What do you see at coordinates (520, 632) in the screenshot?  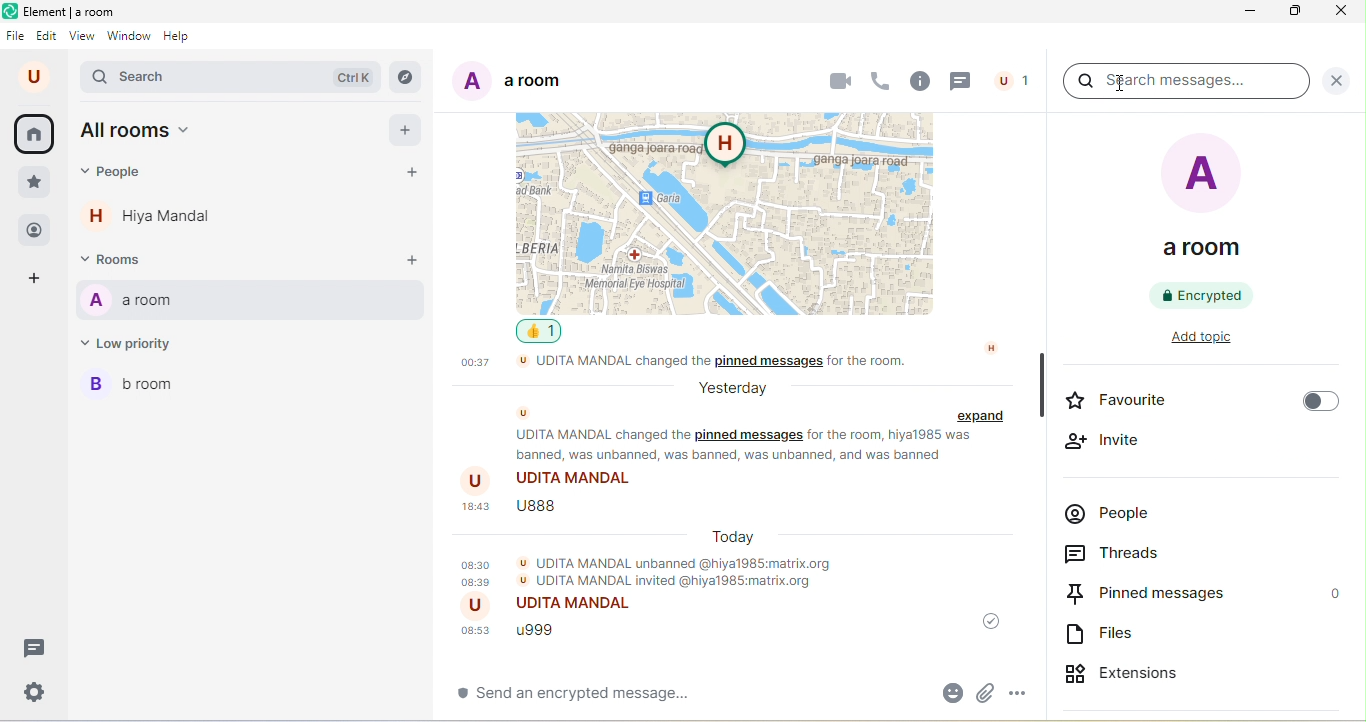 I see `u999` at bounding box center [520, 632].